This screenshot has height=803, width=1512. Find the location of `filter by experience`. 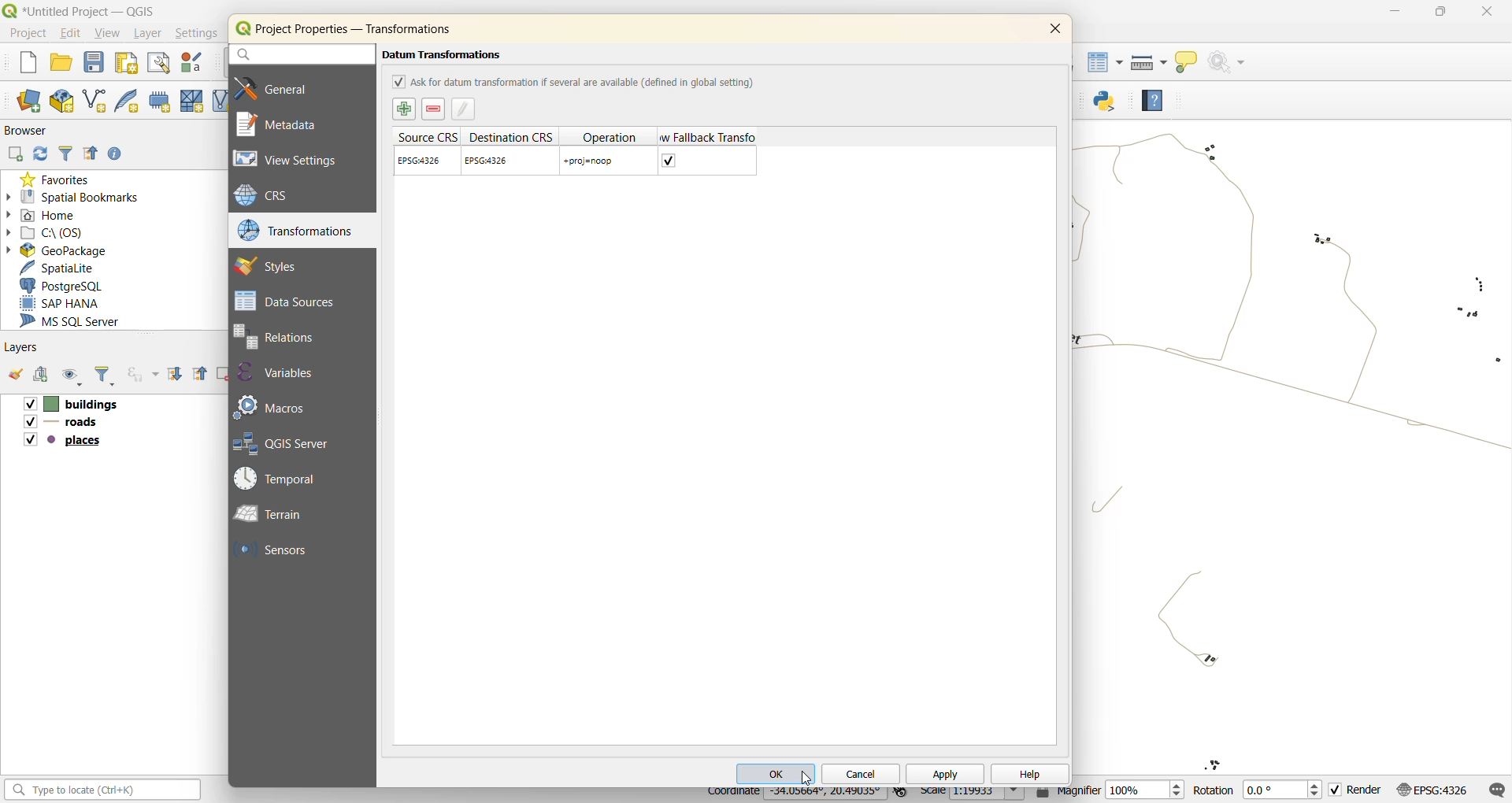

filter by experience is located at coordinates (141, 375).